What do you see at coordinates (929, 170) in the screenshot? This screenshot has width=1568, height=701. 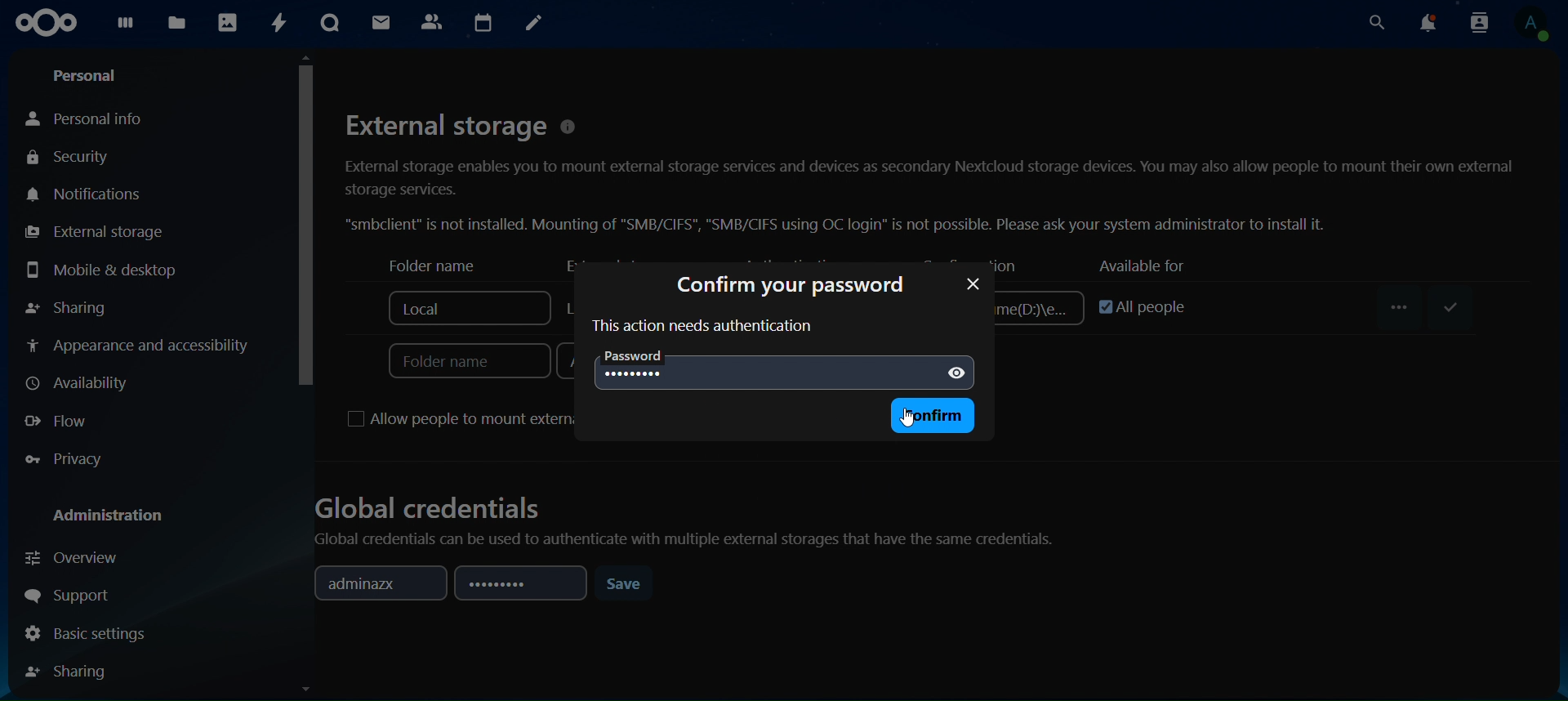 I see `External storage ©

External storage enables you to mount external storage services and devices as secondary Nextcloud storage devices. You may also allow people to mount their own external
storage services.

“smbclient” is not installed. Mounting of "SMB/CIFS", "SMB/CIFS using OC login” is not possible. Please ask your system administrator to install it.` at bounding box center [929, 170].